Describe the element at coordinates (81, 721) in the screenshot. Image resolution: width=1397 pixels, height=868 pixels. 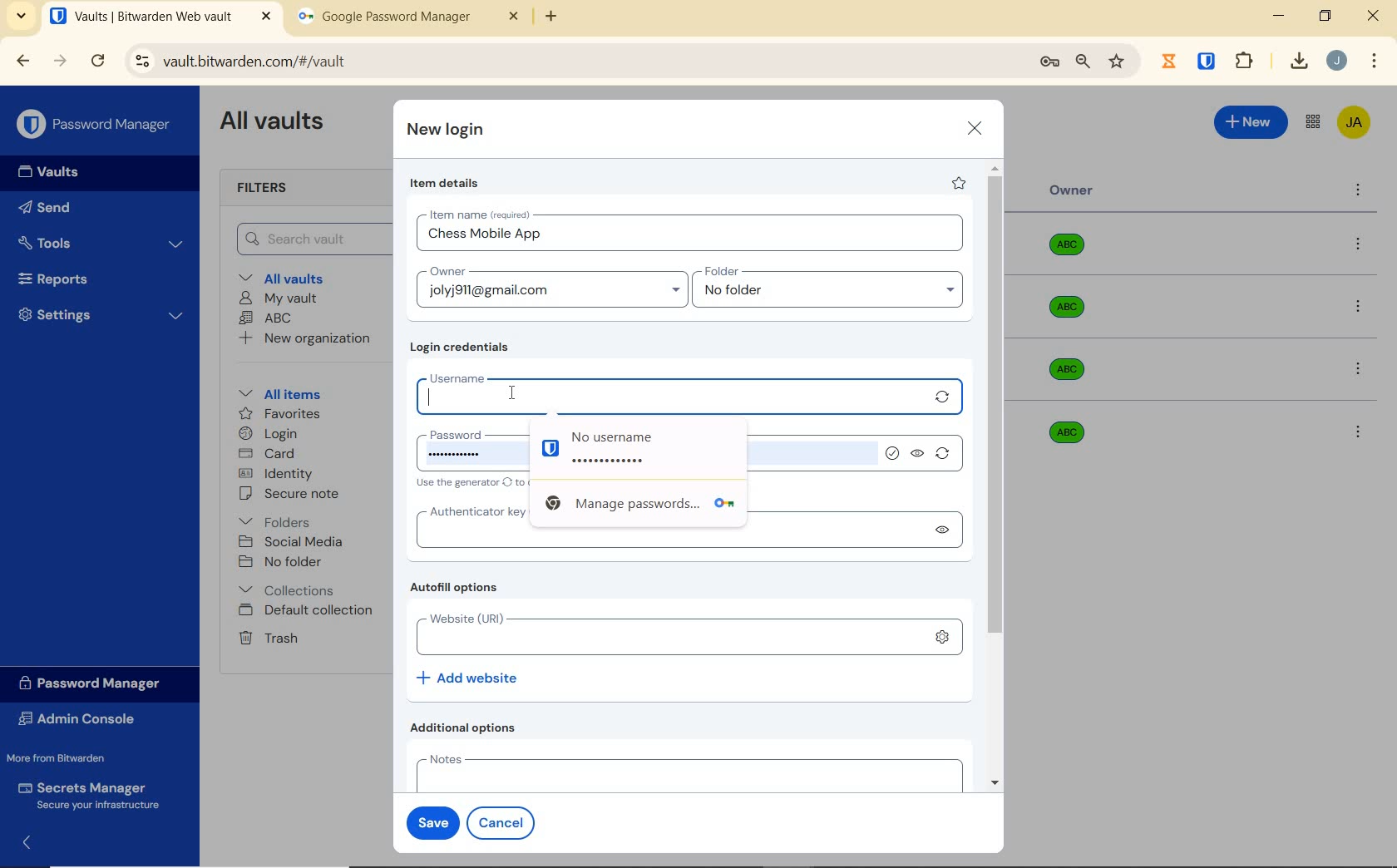
I see `Admin Console` at that location.